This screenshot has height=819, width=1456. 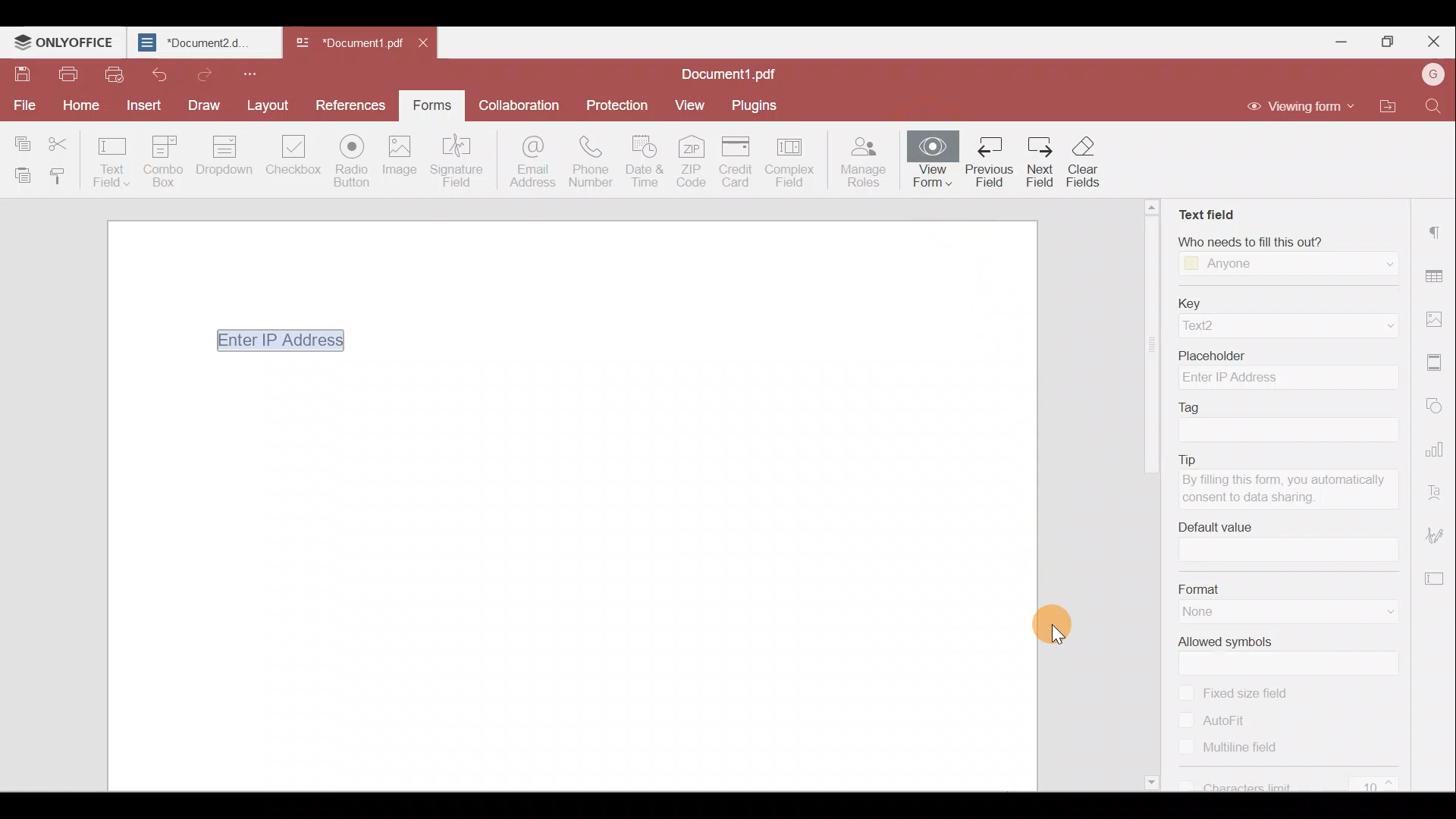 I want to click on Characters limit, so click(x=1301, y=782).